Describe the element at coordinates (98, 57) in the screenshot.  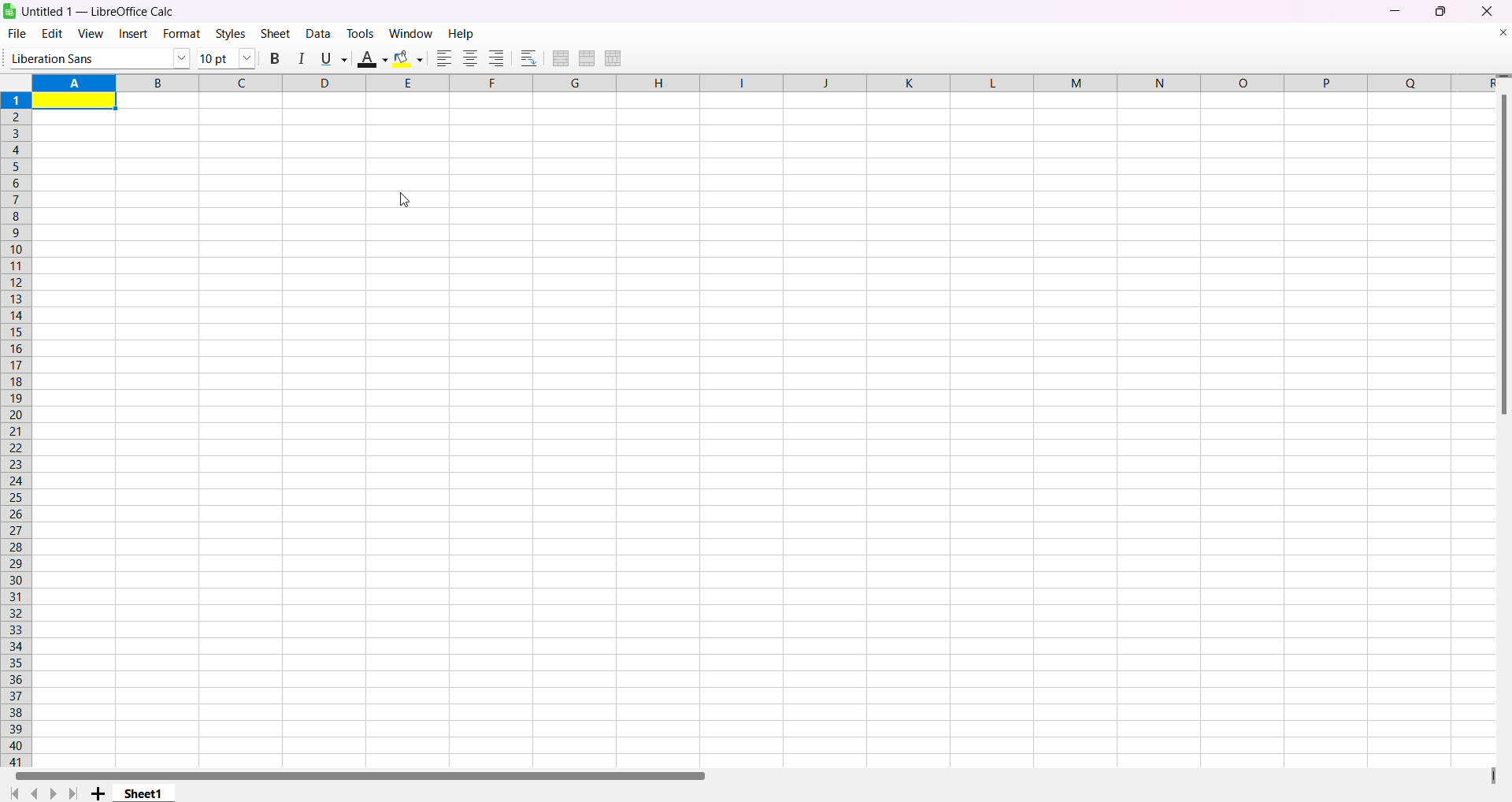
I see `font name` at that location.